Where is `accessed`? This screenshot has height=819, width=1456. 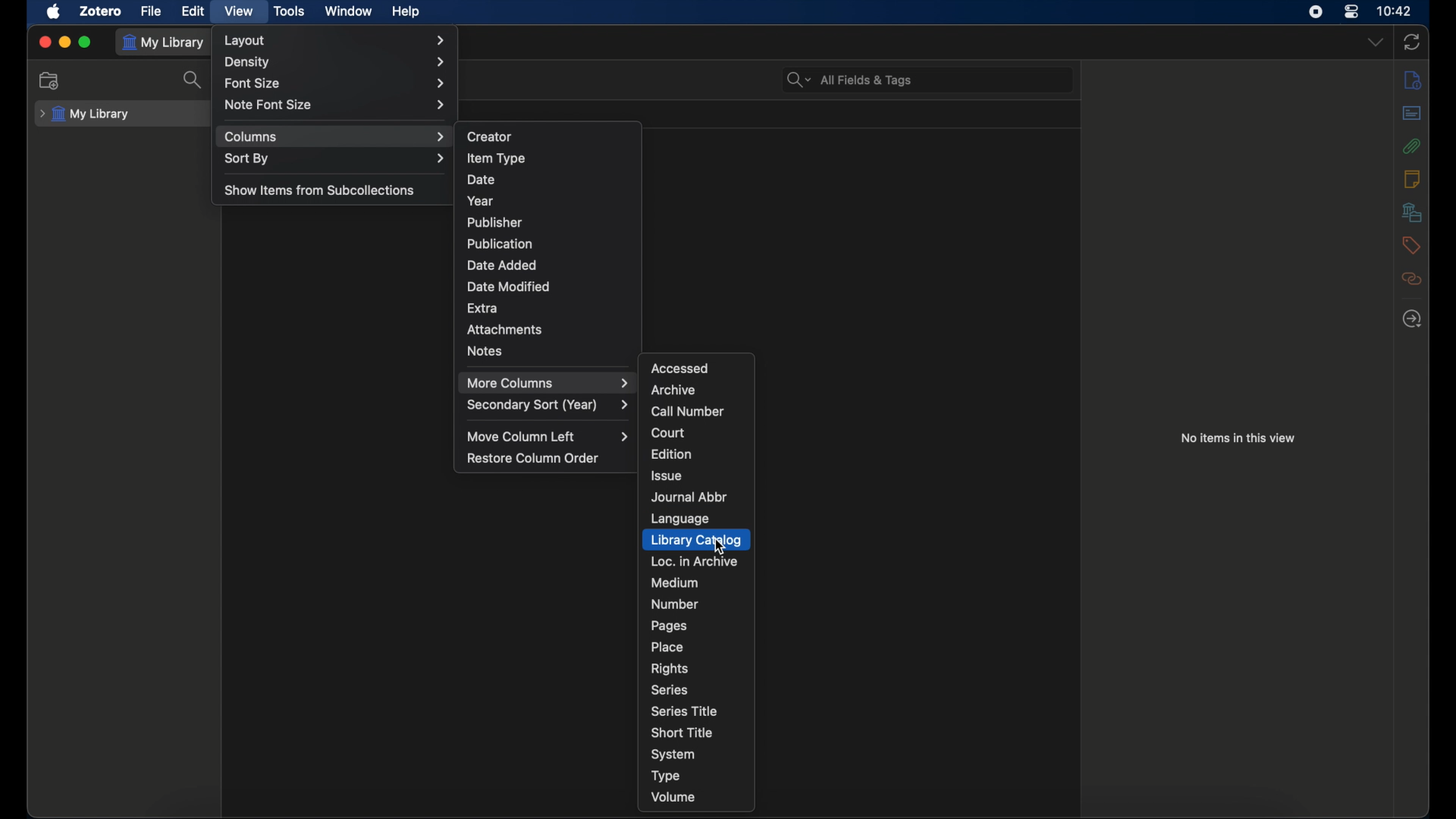
accessed is located at coordinates (681, 368).